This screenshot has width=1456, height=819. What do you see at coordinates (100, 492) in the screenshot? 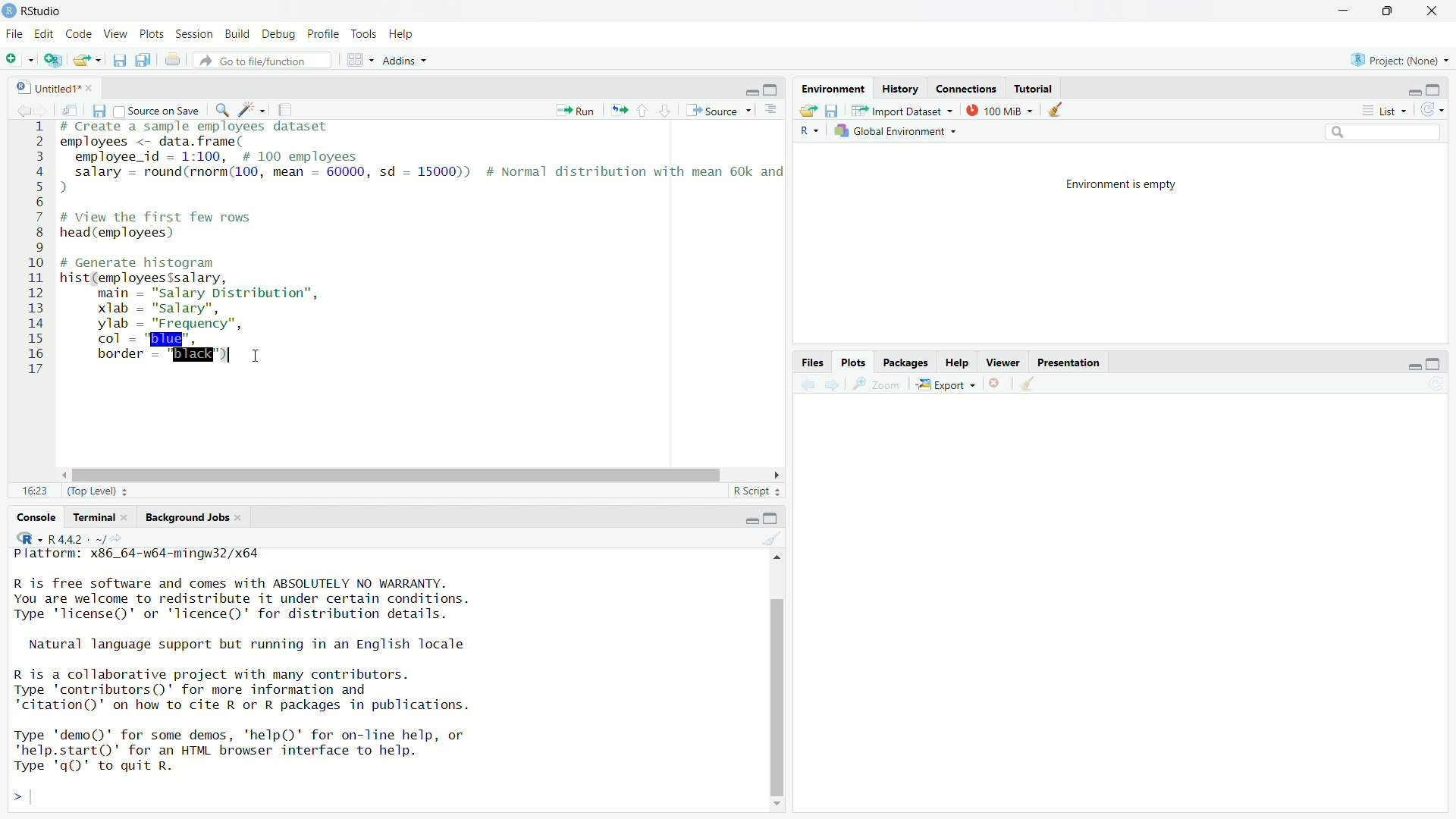
I see `Top Level` at bounding box center [100, 492].